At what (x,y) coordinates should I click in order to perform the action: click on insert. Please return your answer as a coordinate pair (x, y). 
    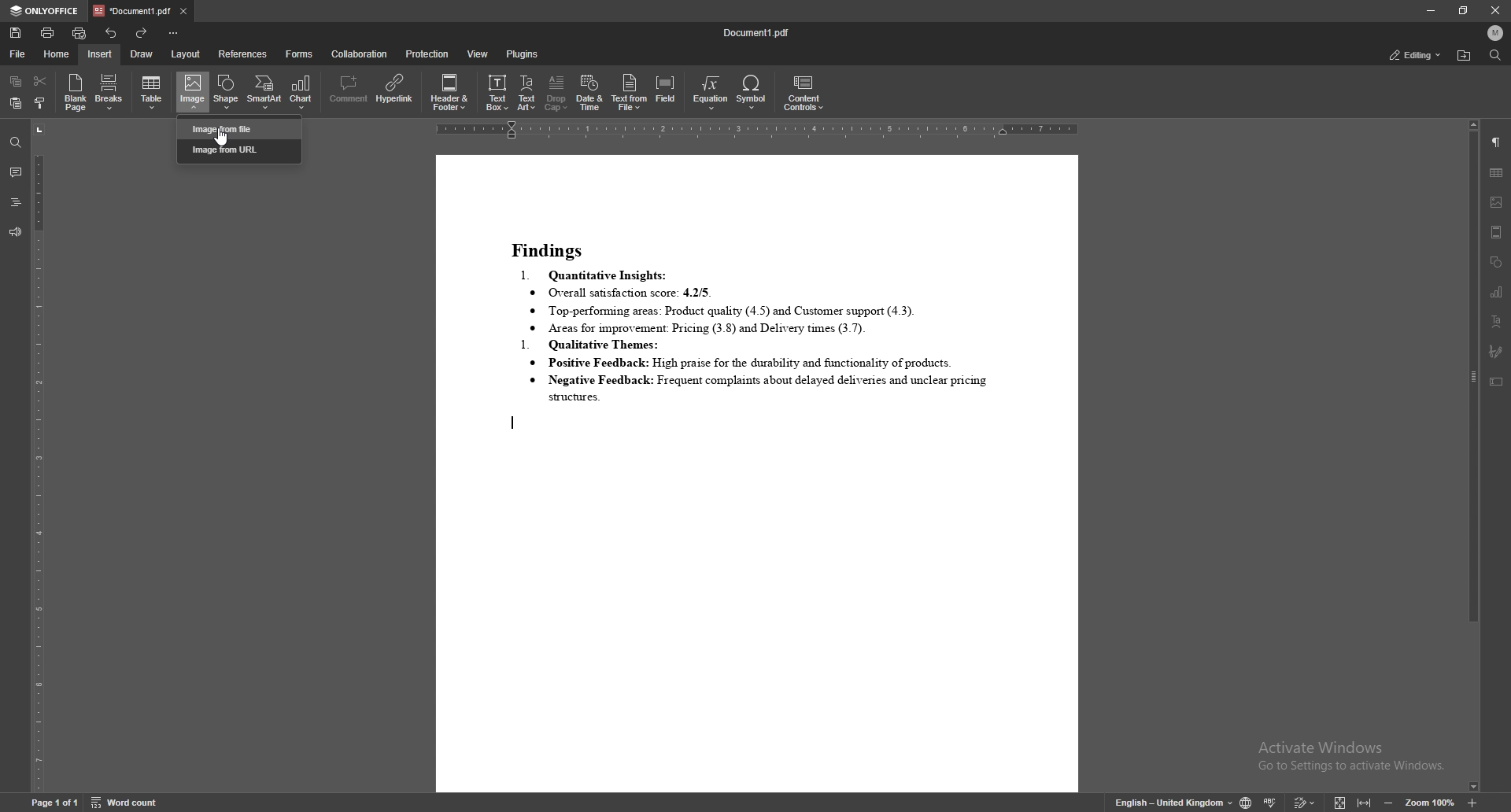
    Looking at the image, I should click on (98, 54).